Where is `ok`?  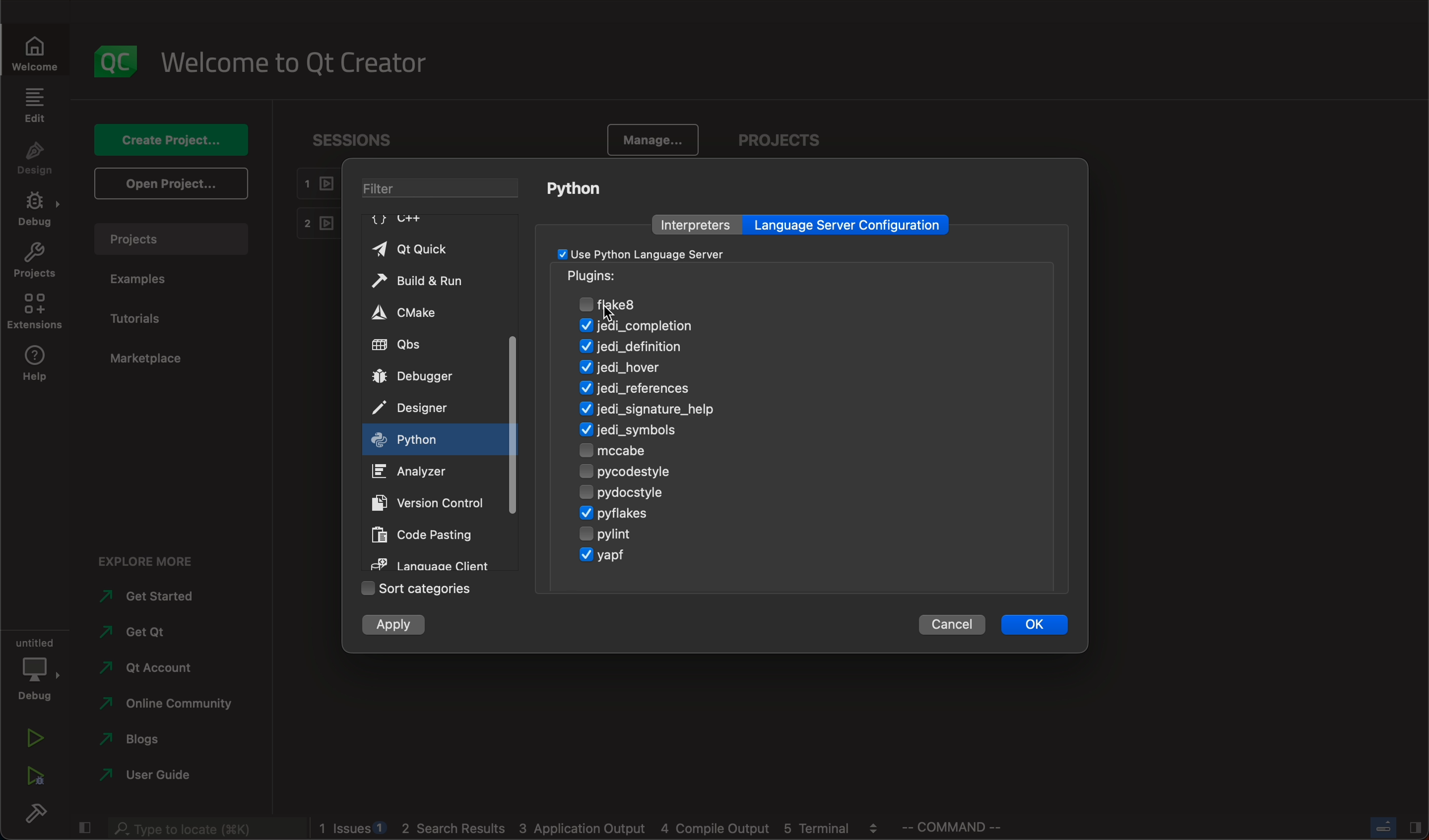 ok is located at coordinates (1037, 622).